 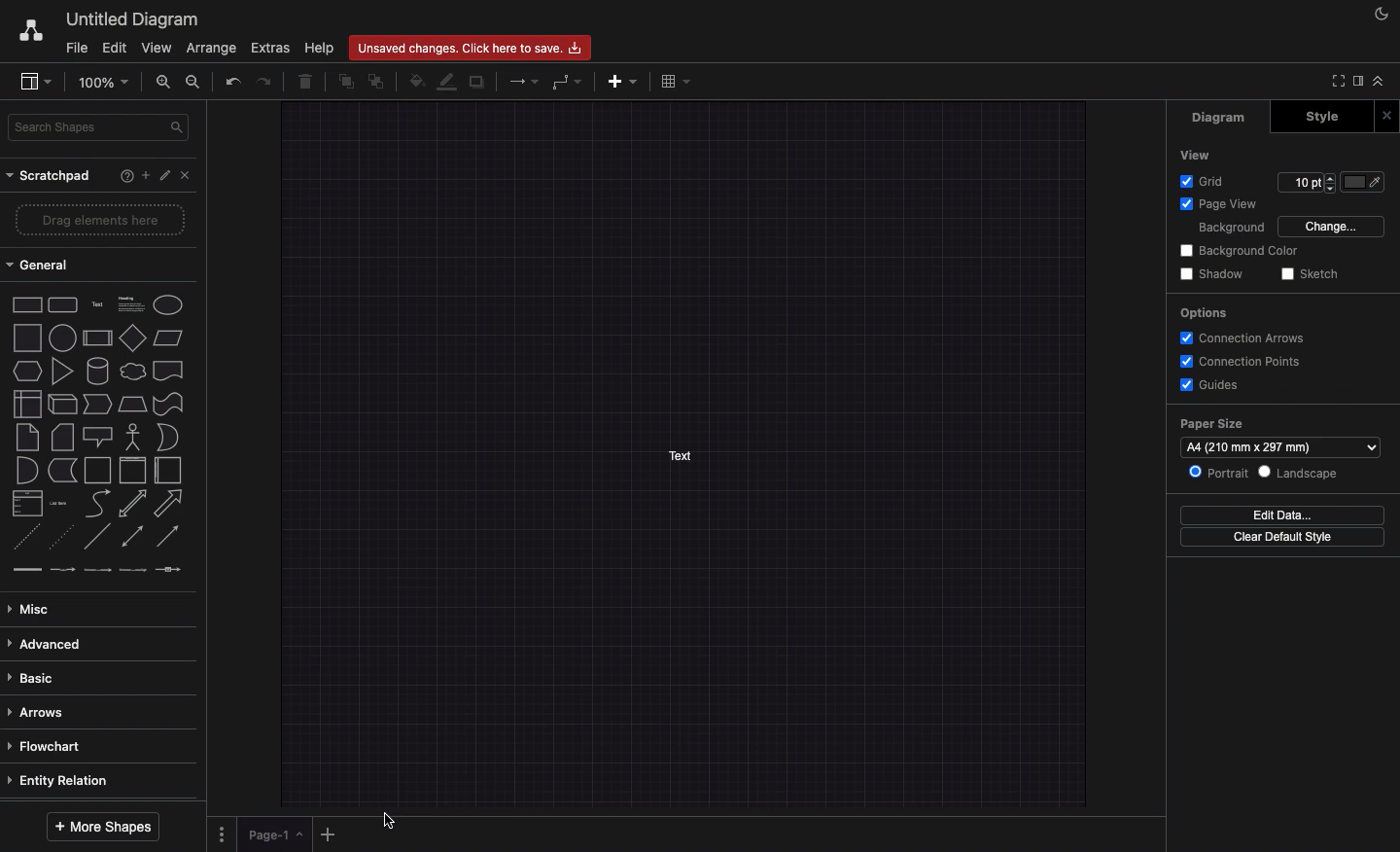 What do you see at coordinates (1307, 183) in the screenshot?
I see `Size` at bounding box center [1307, 183].